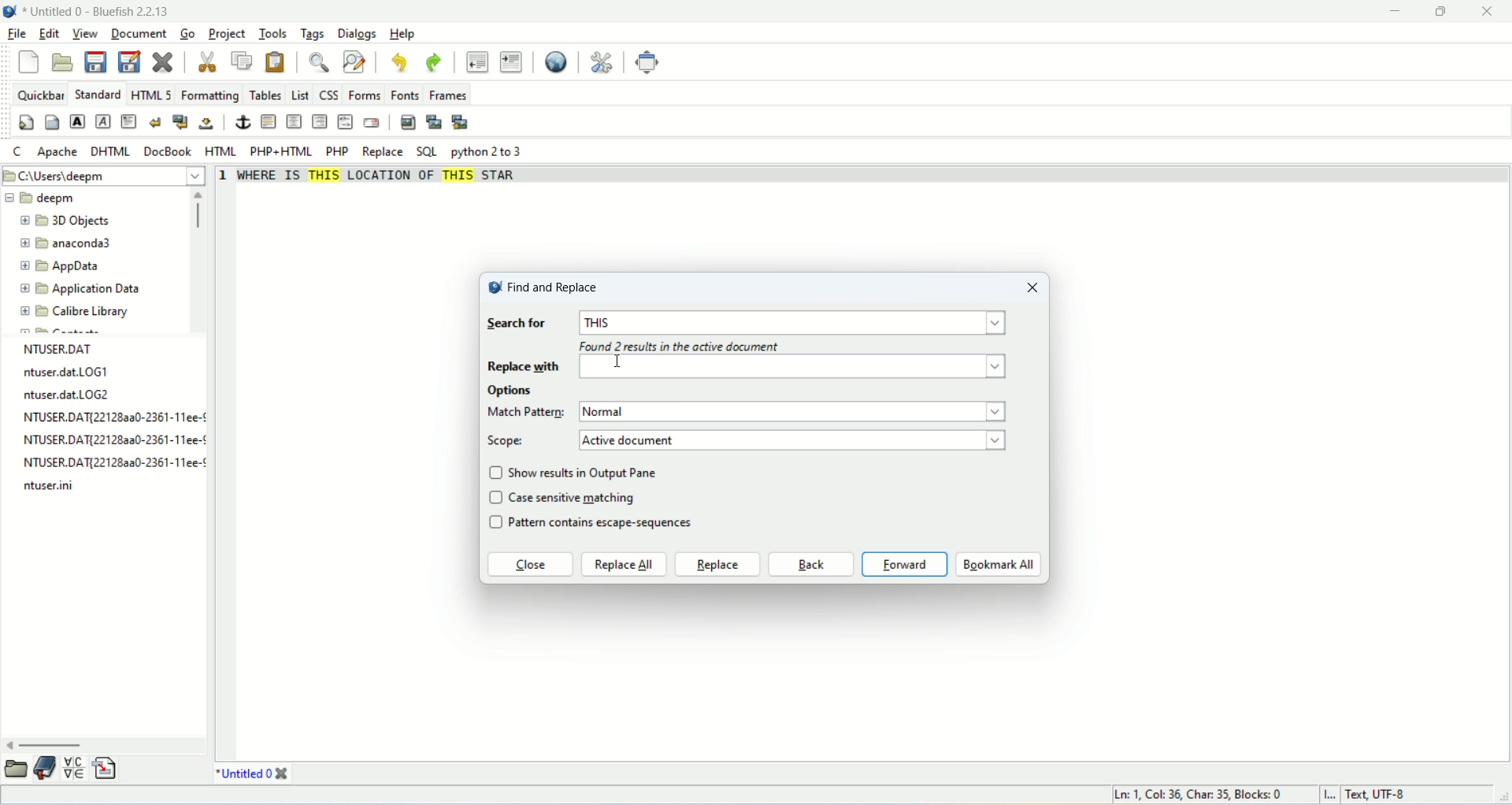  Describe the element at coordinates (98, 62) in the screenshot. I see `save file` at that location.